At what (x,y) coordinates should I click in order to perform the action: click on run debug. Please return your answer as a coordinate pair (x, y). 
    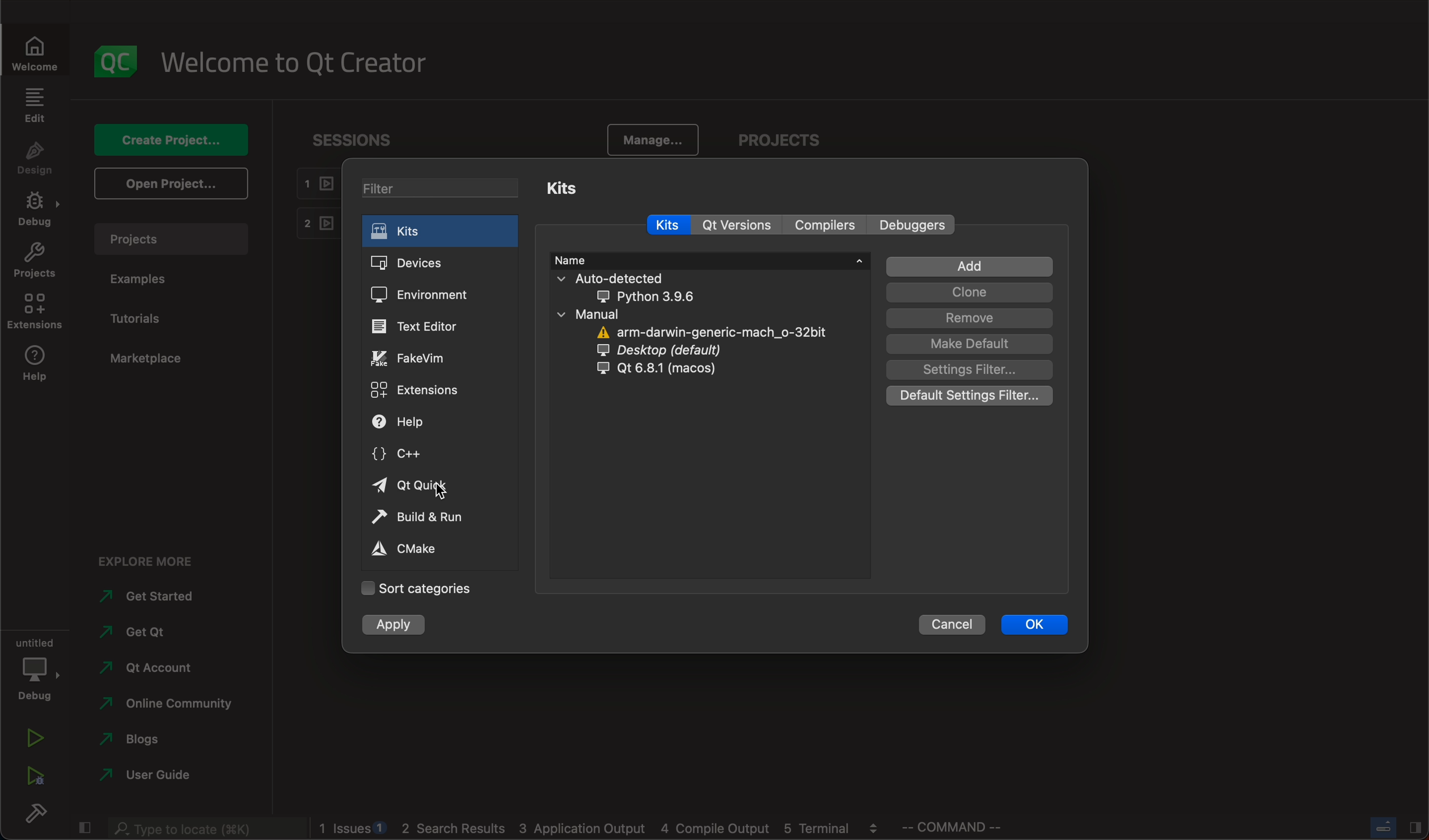
    Looking at the image, I should click on (37, 774).